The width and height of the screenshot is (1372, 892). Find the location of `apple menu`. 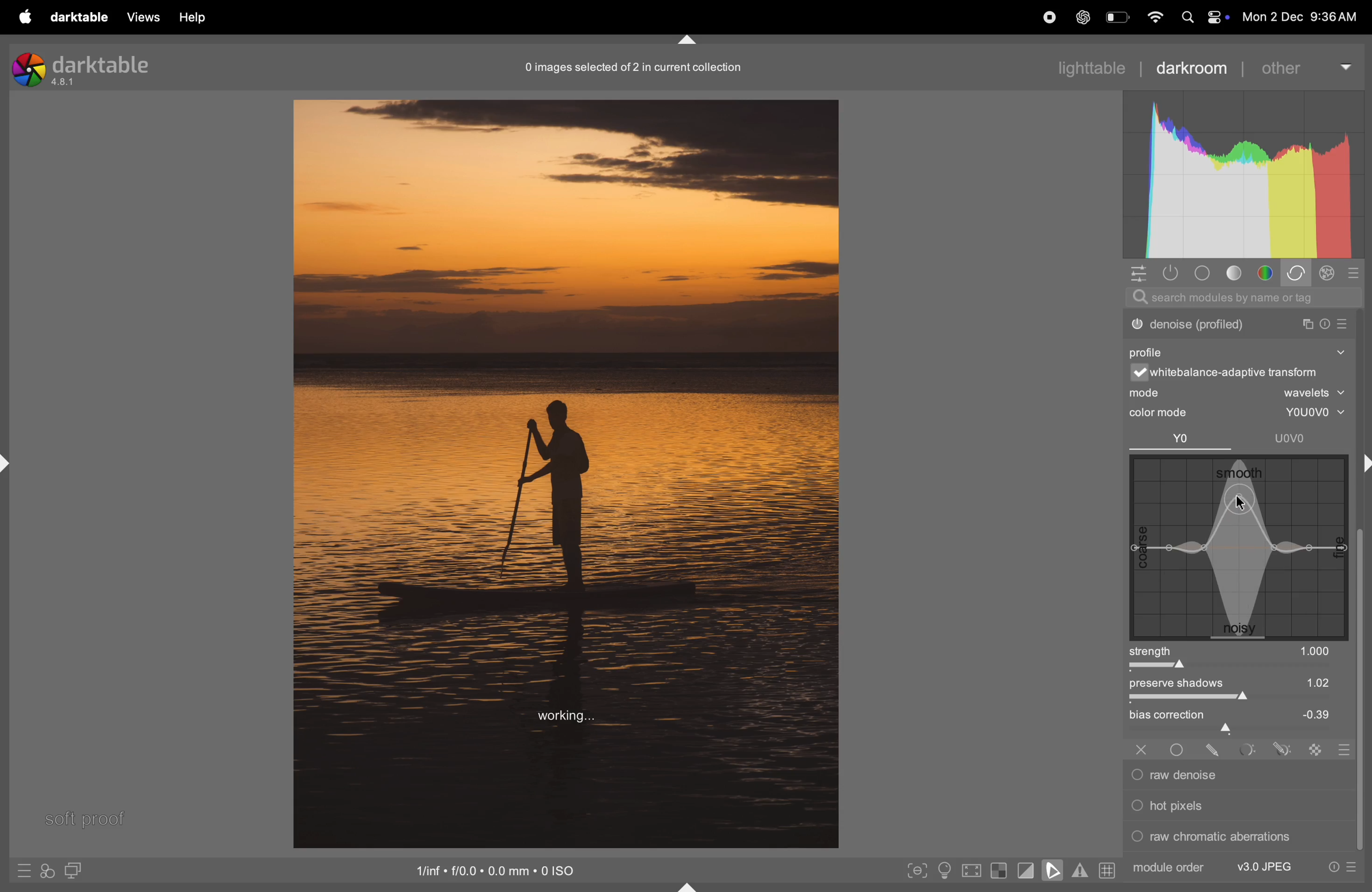

apple menu is located at coordinates (18, 17).